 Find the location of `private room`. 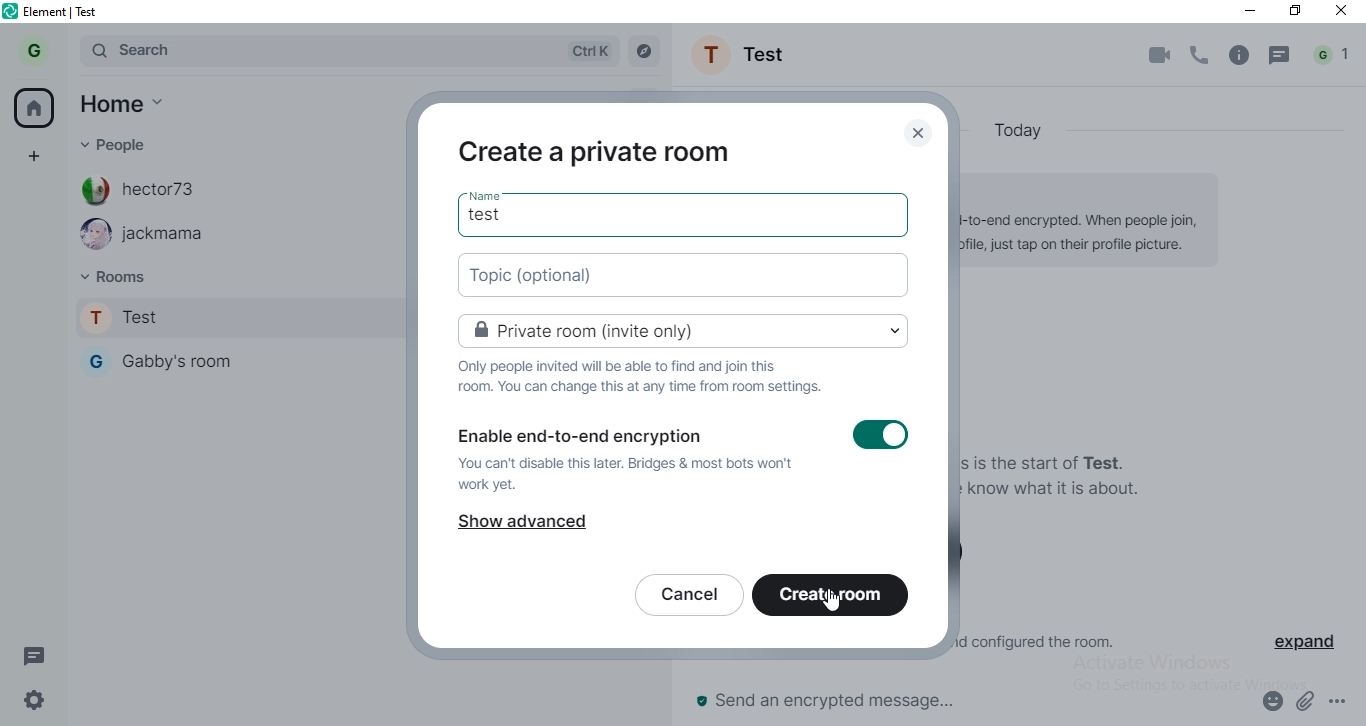

private room is located at coordinates (691, 334).